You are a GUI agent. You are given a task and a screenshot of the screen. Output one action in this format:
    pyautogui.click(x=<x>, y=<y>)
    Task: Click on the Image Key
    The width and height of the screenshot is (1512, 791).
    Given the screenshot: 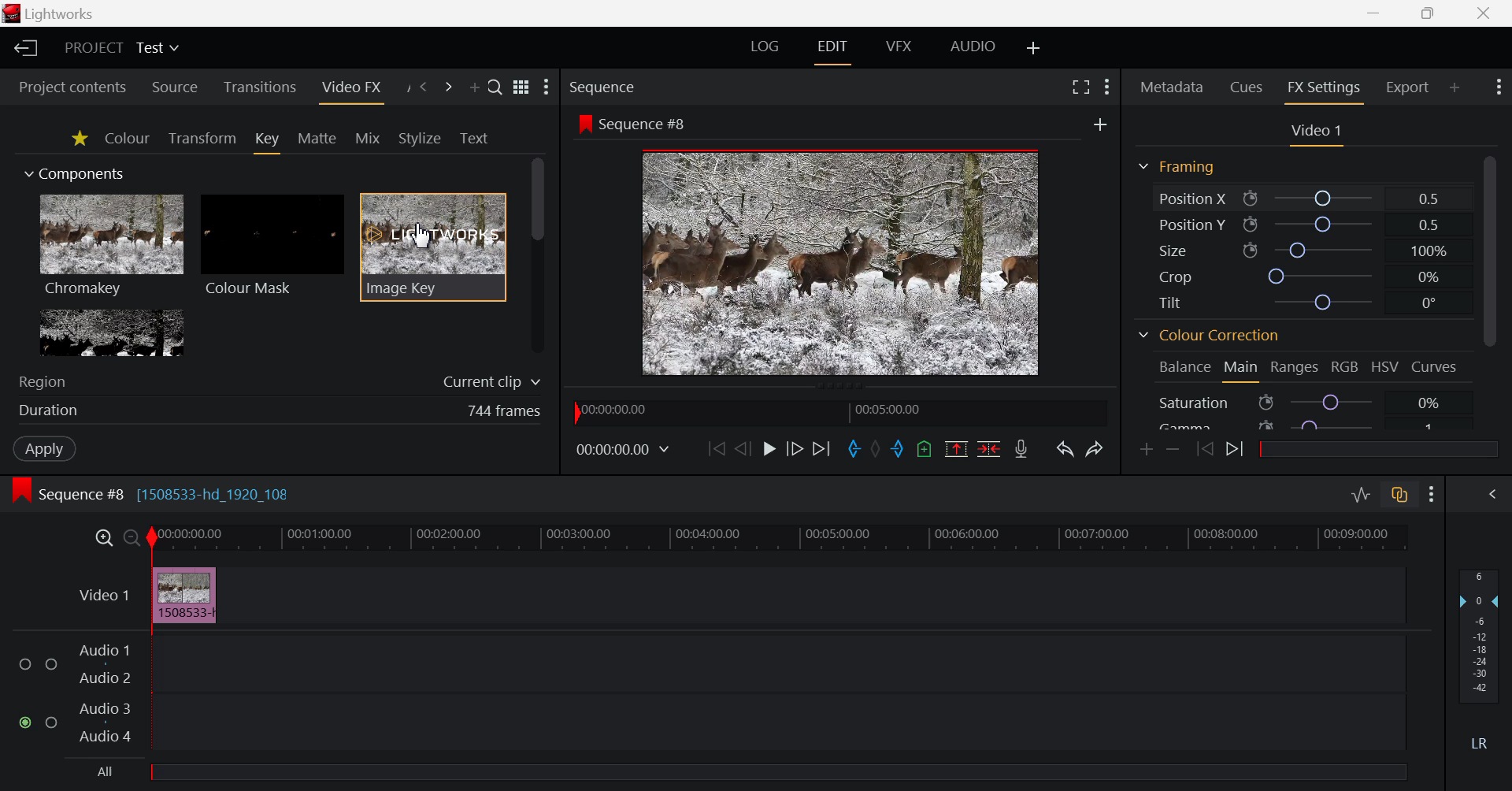 What is the action you would take?
    pyautogui.click(x=433, y=247)
    